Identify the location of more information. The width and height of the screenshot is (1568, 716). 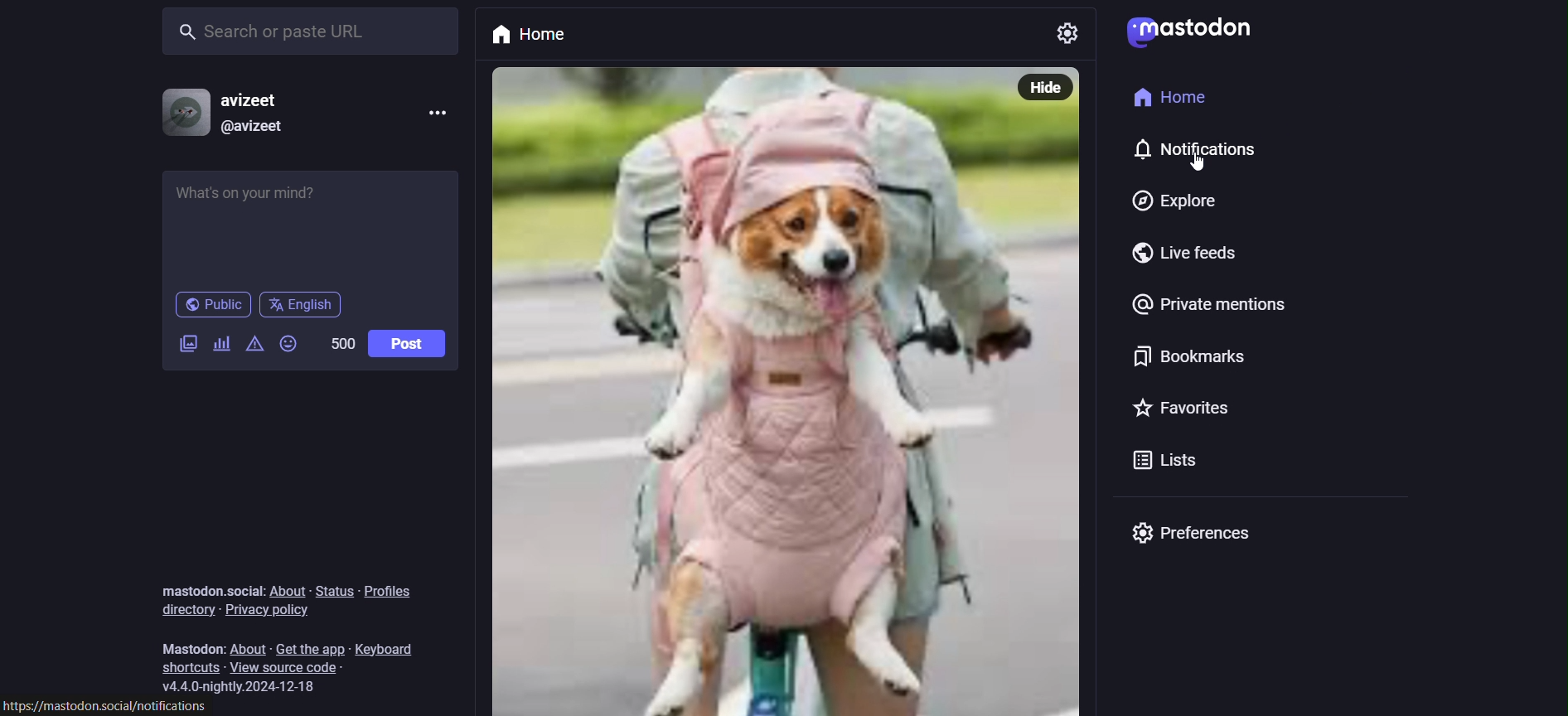
(439, 114).